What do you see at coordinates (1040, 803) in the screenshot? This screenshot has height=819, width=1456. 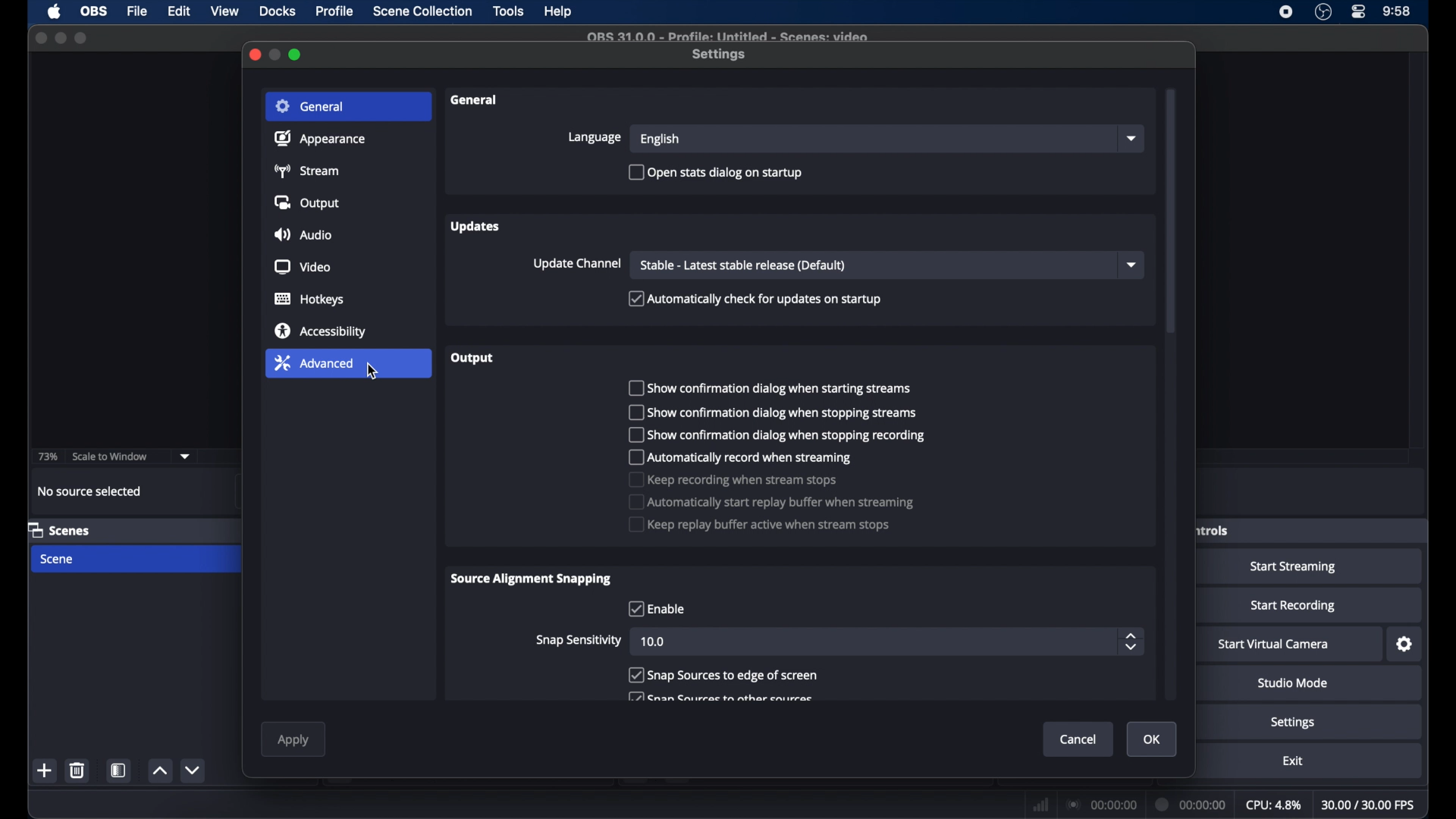 I see `network` at bounding box center [1040, 803].